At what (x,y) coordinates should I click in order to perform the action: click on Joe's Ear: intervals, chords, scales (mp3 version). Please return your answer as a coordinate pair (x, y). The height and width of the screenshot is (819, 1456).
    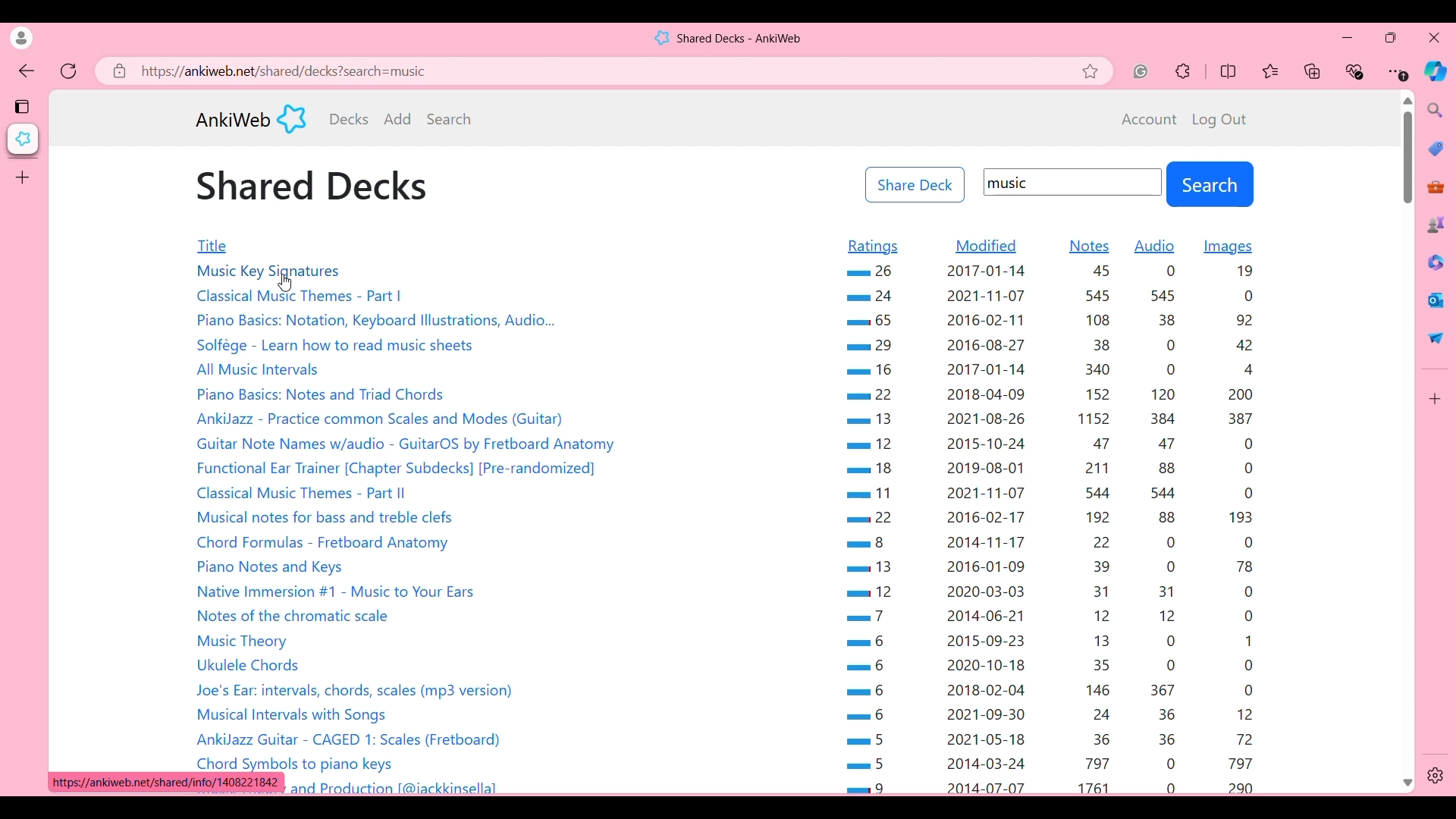
    Looking at the image, I should click on (359, 690).